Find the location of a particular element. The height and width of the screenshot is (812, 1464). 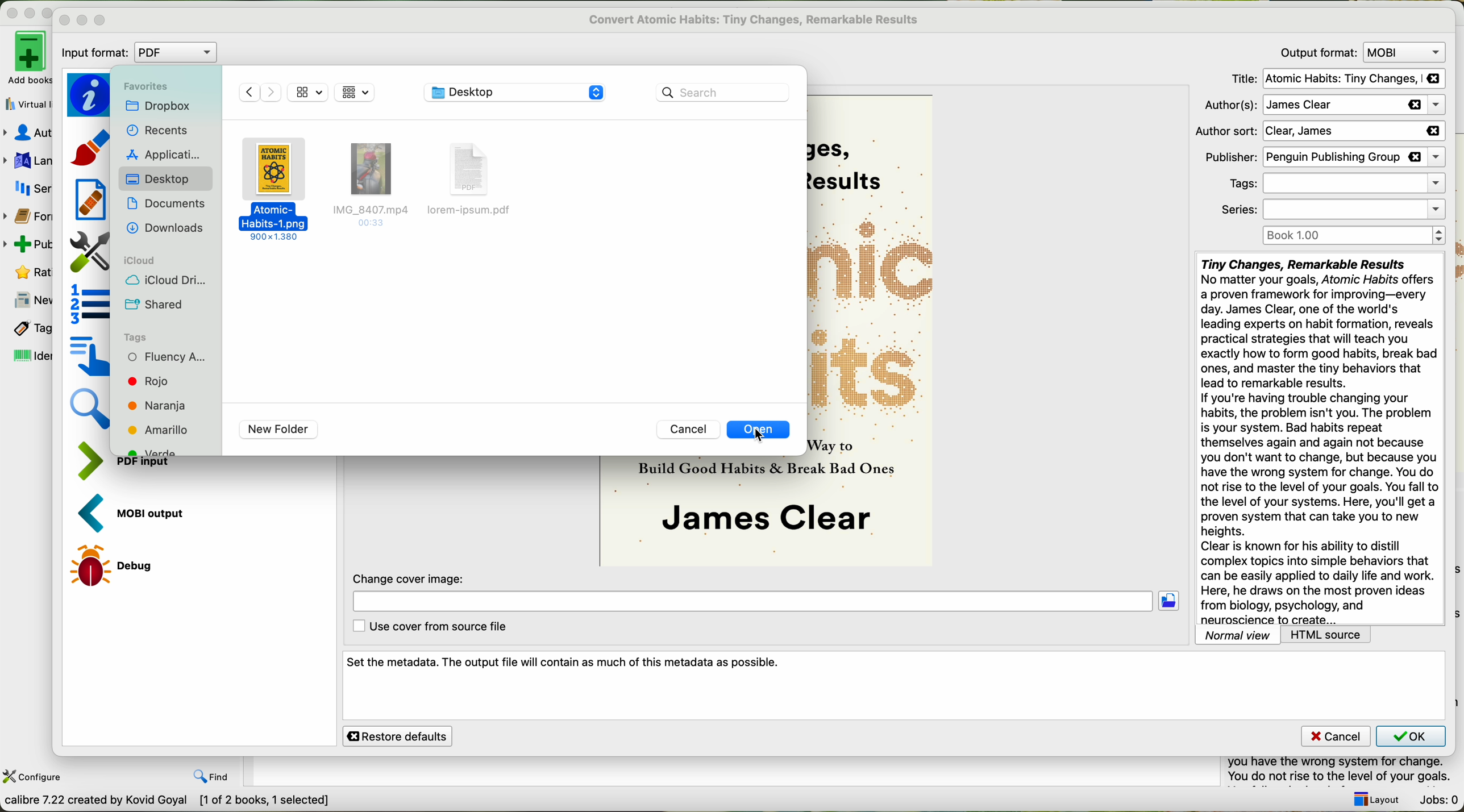

table of contents is located at coordinates (89, 355).